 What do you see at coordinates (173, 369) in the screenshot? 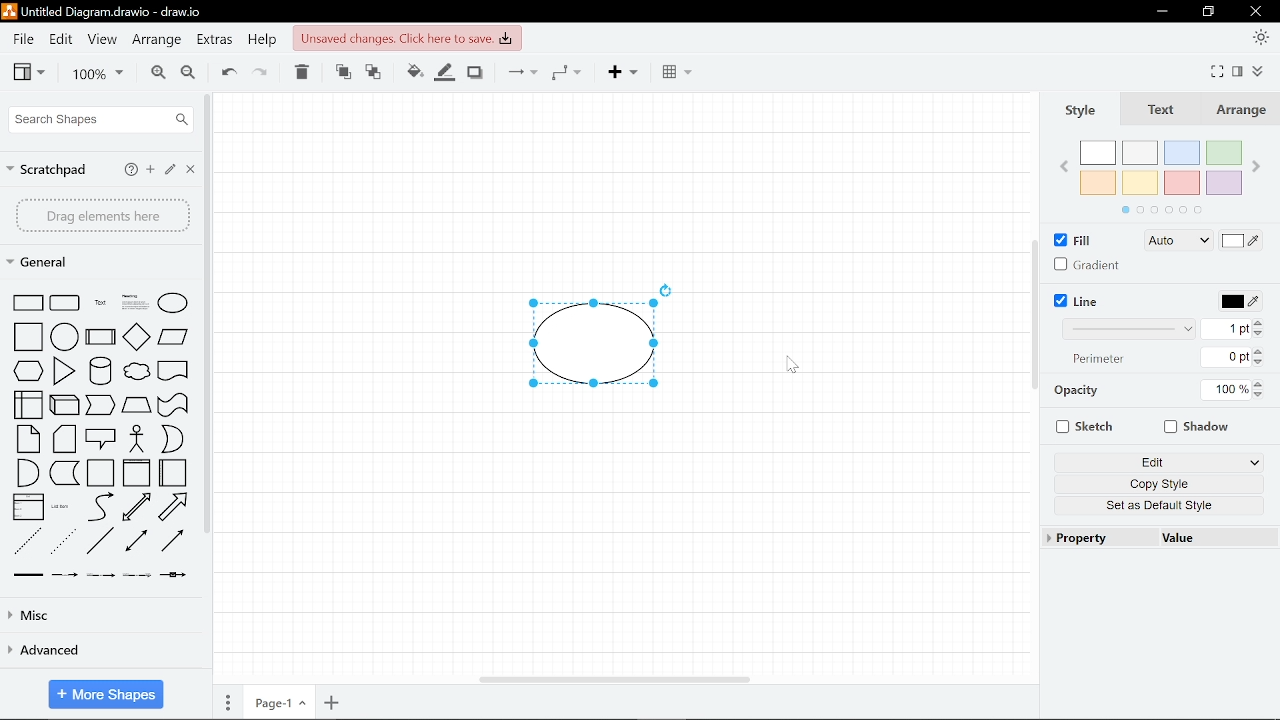
I see `document` at bounding box center [173, 369].